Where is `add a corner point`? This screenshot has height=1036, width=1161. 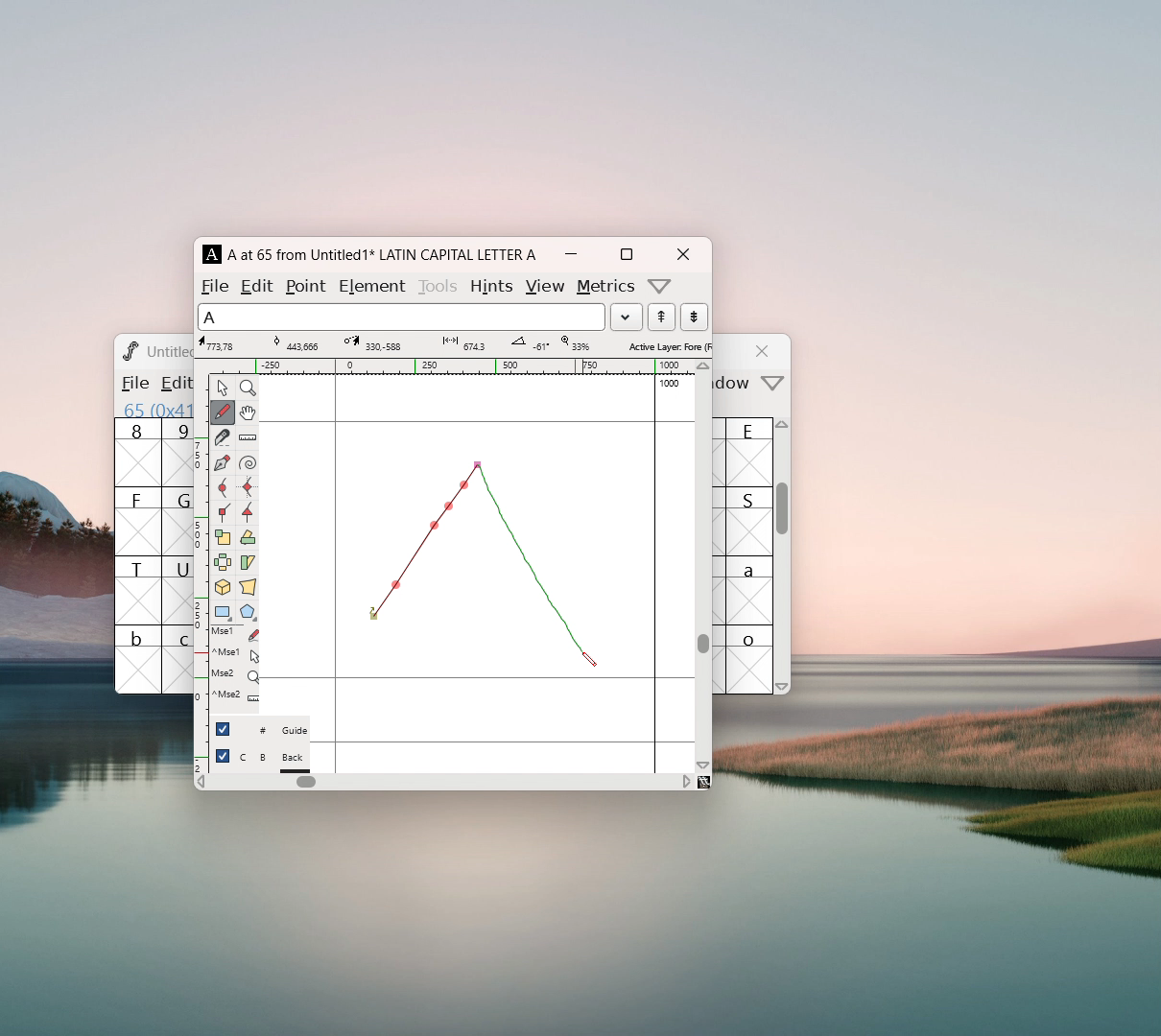
add a corner point is located at coordinates (222, 511).